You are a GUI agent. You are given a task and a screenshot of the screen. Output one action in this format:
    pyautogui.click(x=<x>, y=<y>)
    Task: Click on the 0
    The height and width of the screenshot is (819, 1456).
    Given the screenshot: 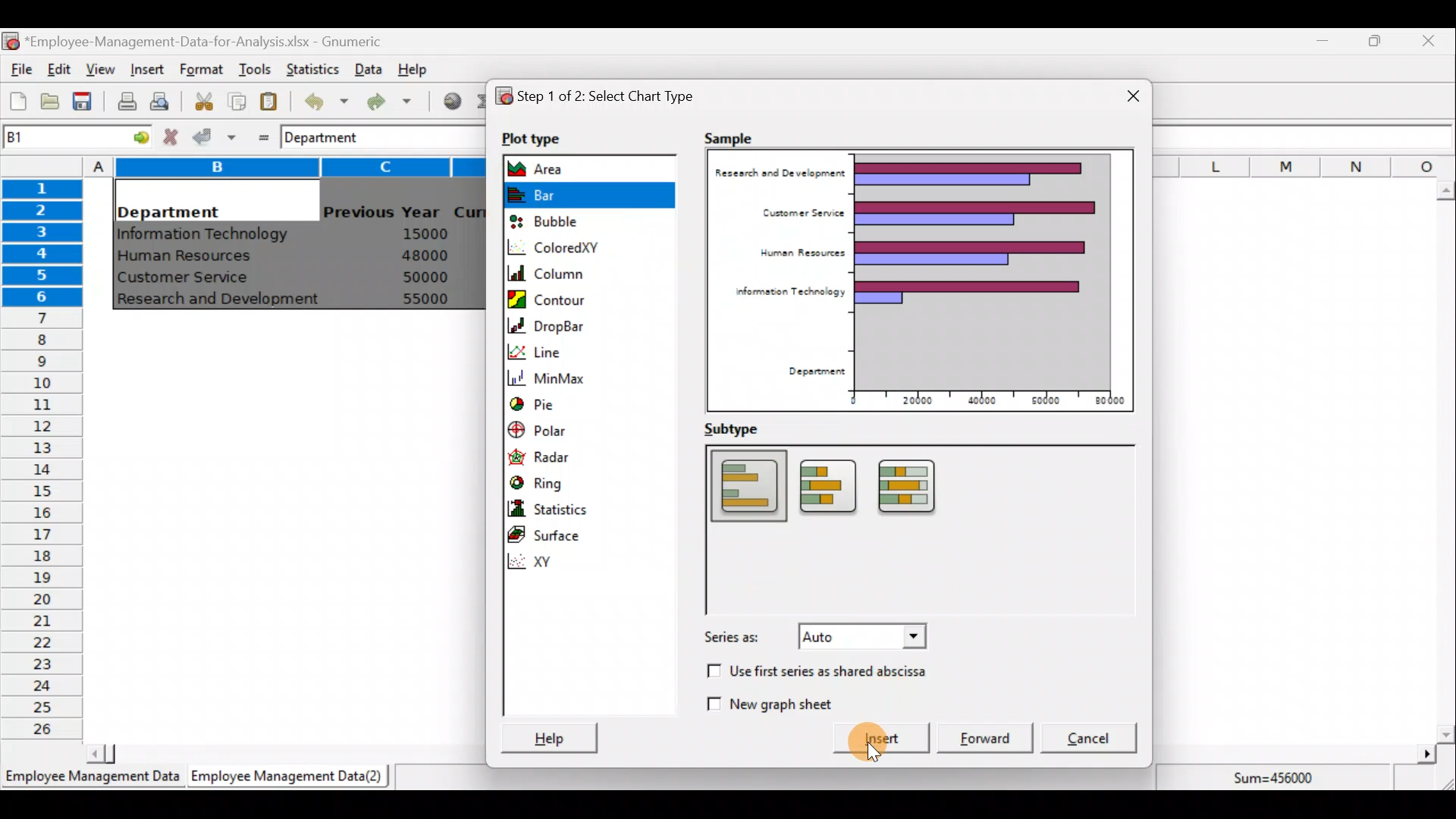 What is the action you would take?
    pyautogui.click(x=852, y=399)
    